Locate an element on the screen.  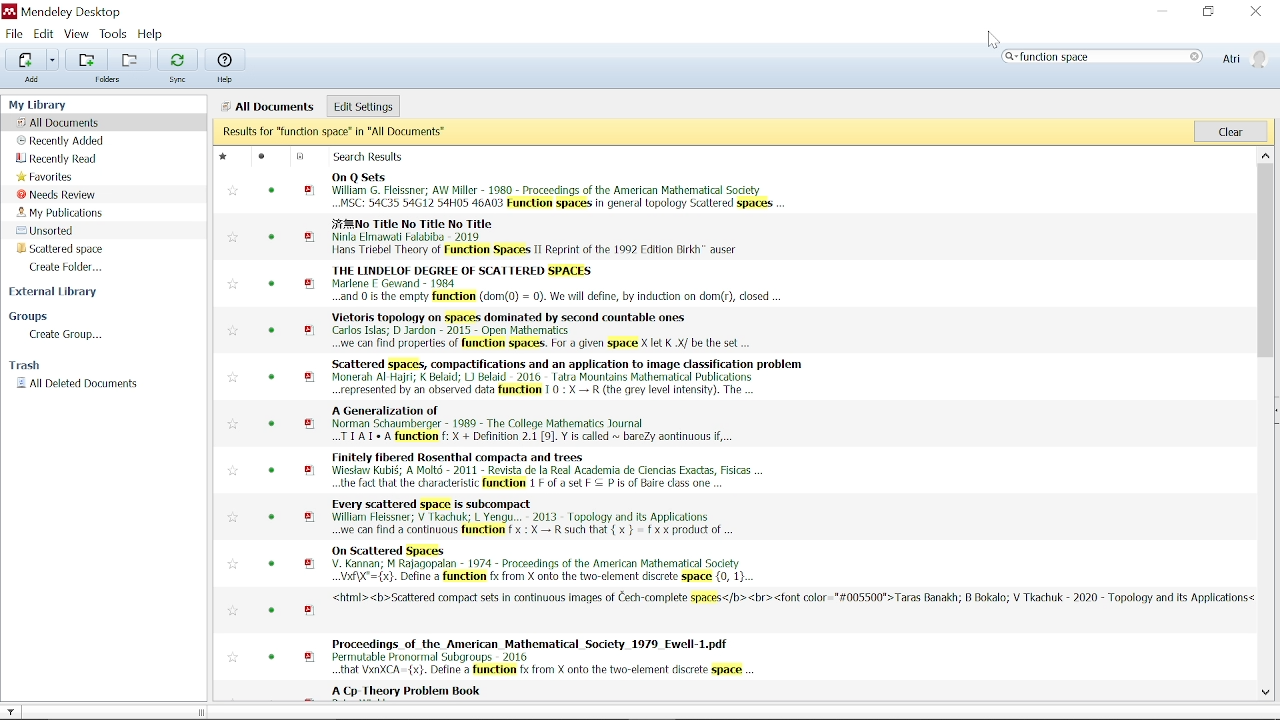
Help is located at coordinates (227, 66).